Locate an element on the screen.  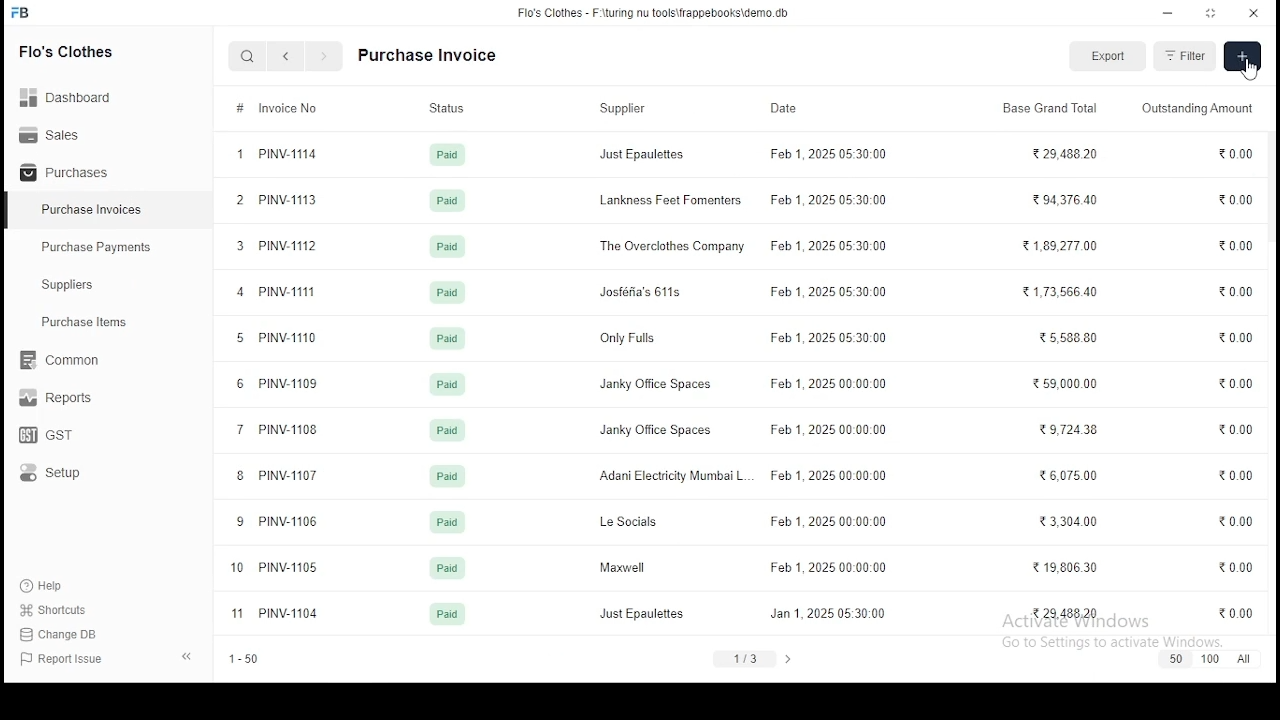
paid is located at coordinates (447, 477).